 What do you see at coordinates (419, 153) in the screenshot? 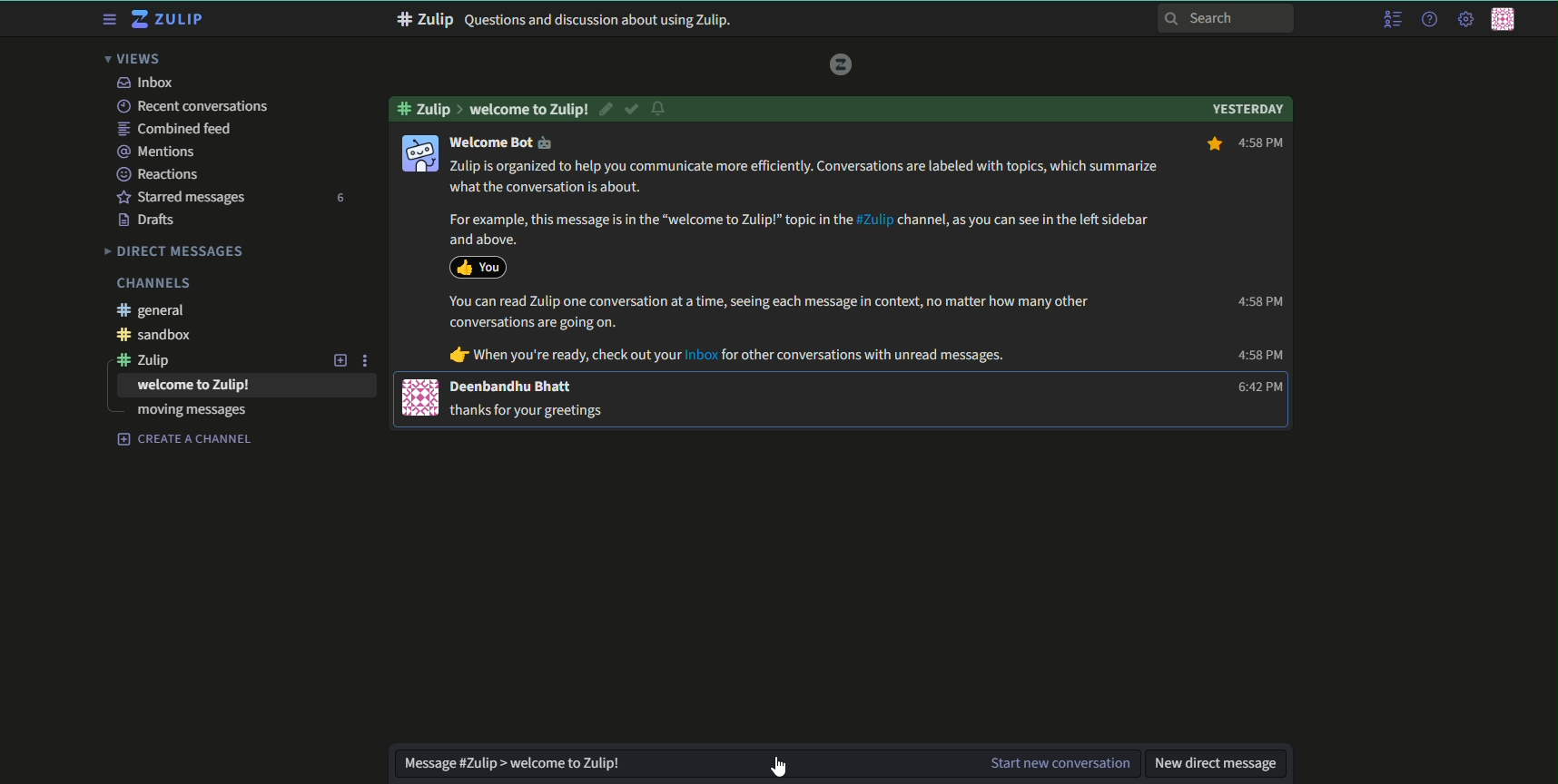
I see `icon` at bounding box center [419, 153].